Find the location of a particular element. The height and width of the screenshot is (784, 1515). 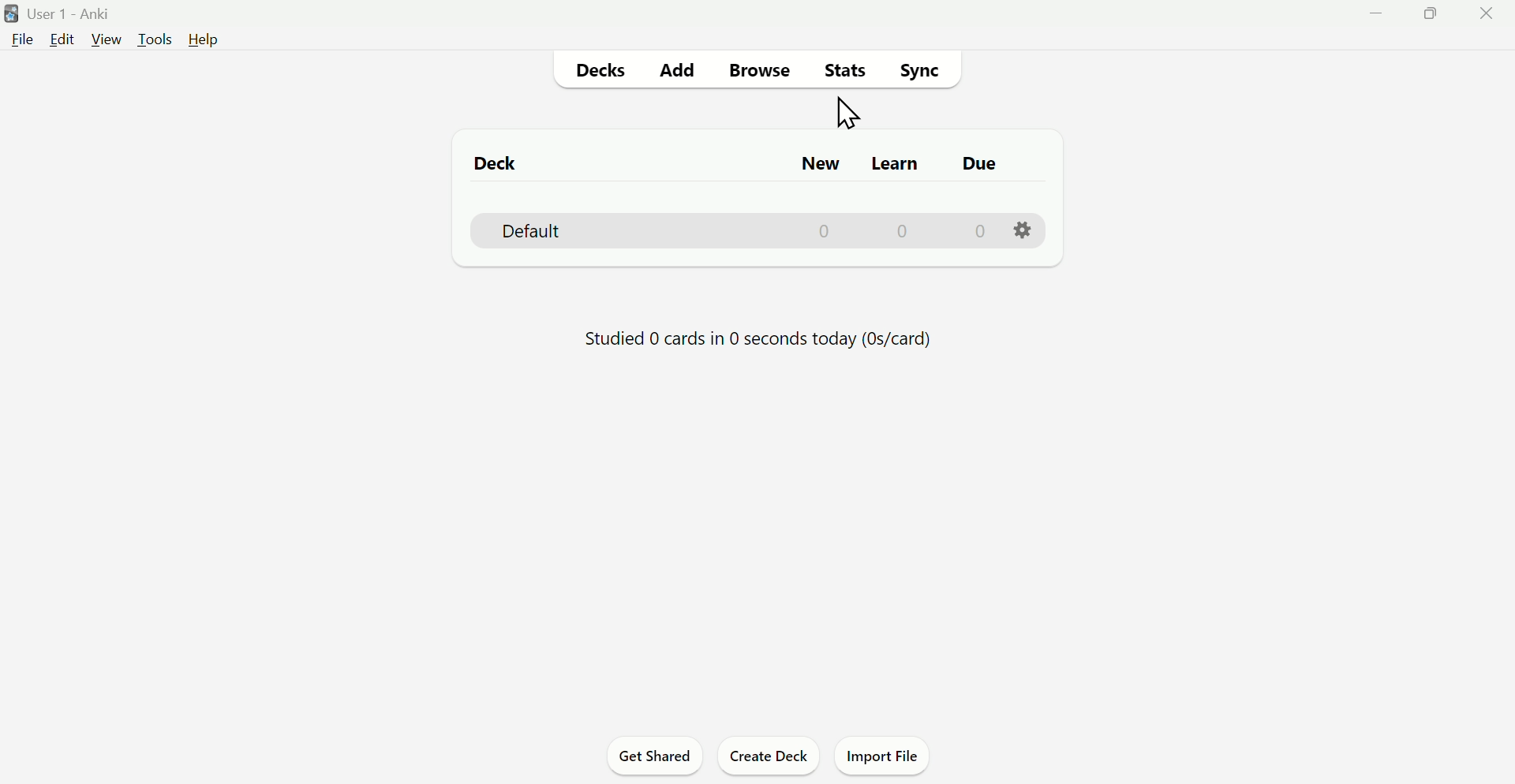

Tools is located at coordinates (157, 39).